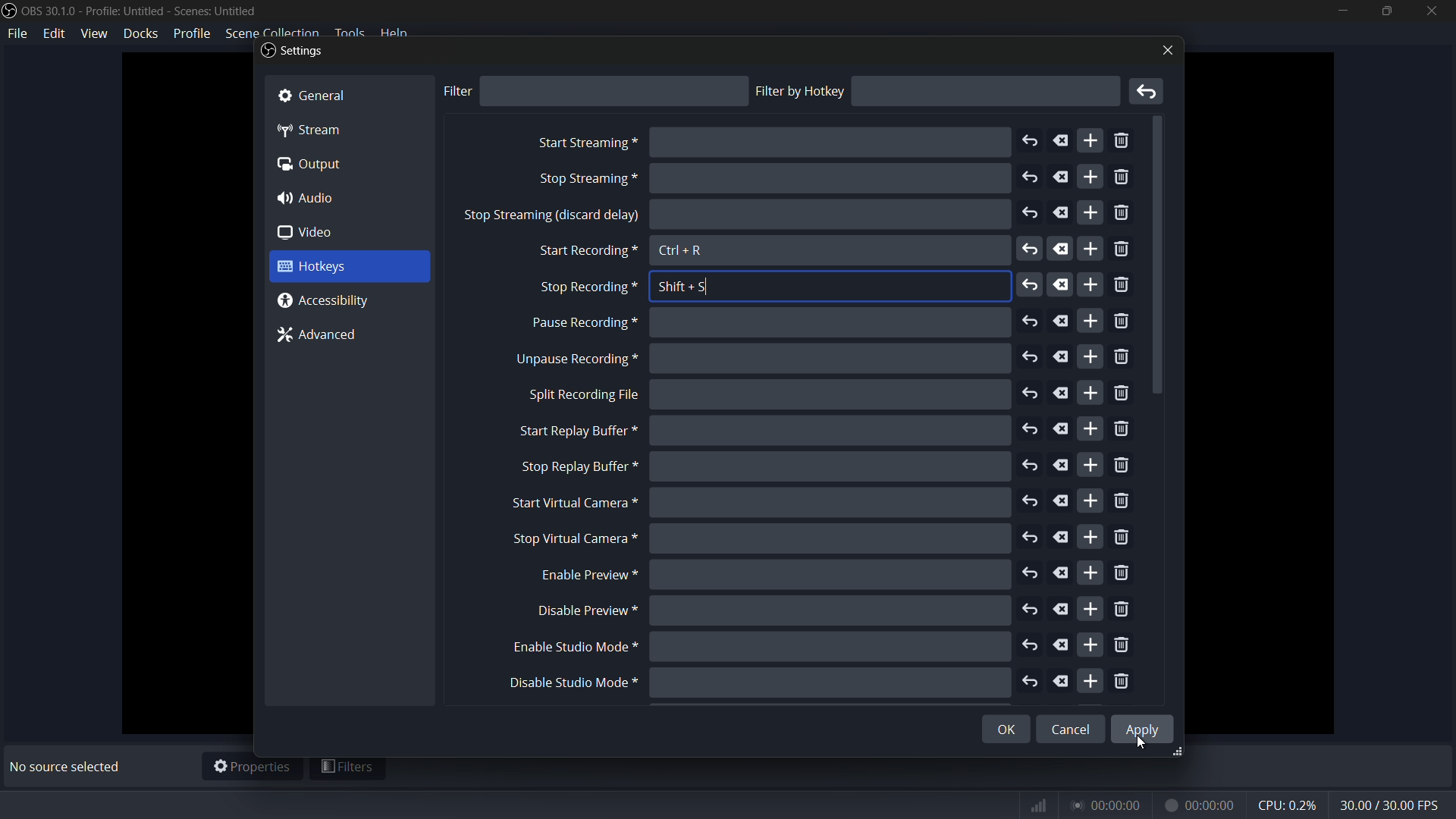  Describe the element at coordinates (1125, 142) in the screenshot. I see `remove` at that location.